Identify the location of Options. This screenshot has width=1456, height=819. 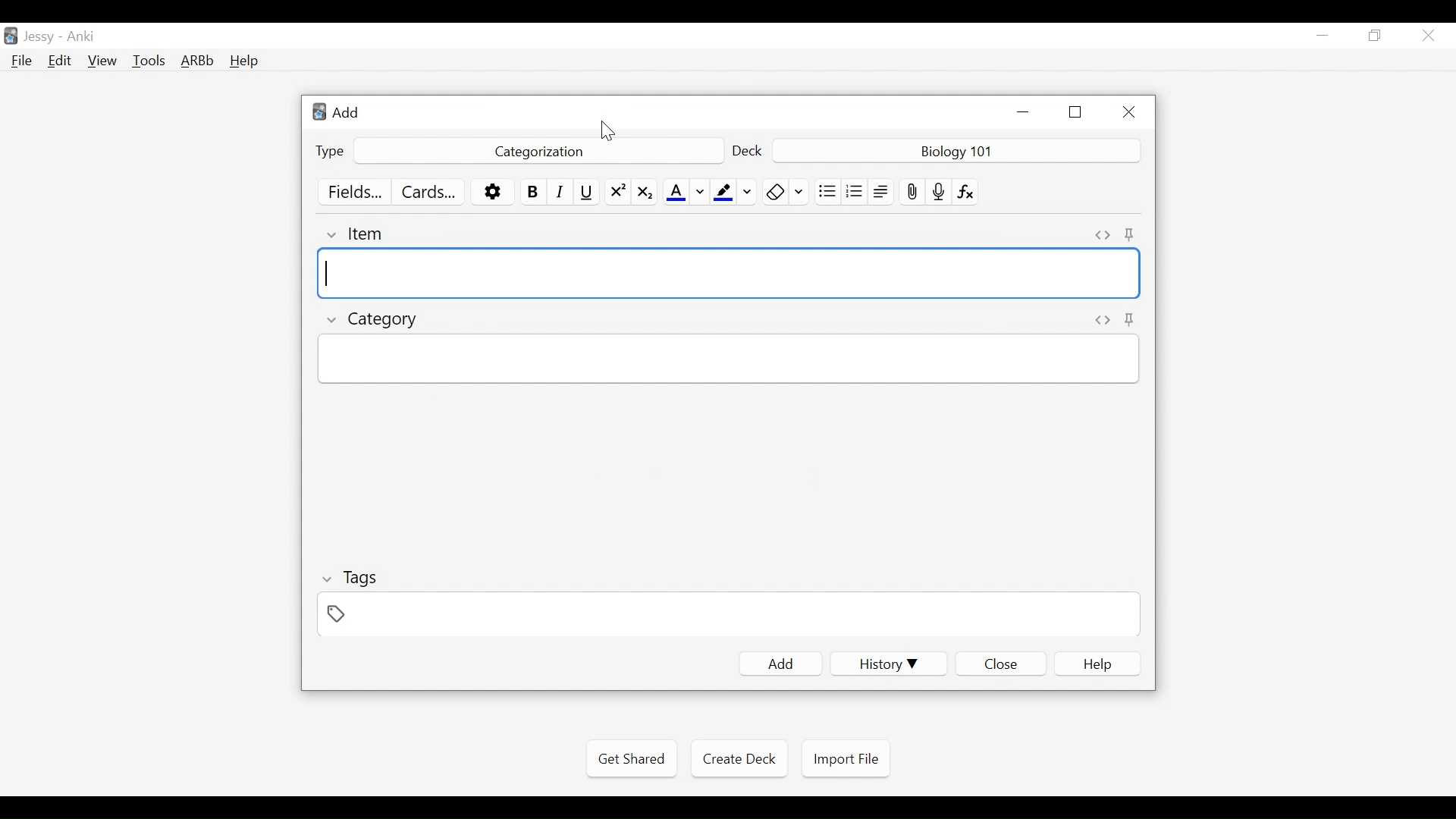
(492, 193).